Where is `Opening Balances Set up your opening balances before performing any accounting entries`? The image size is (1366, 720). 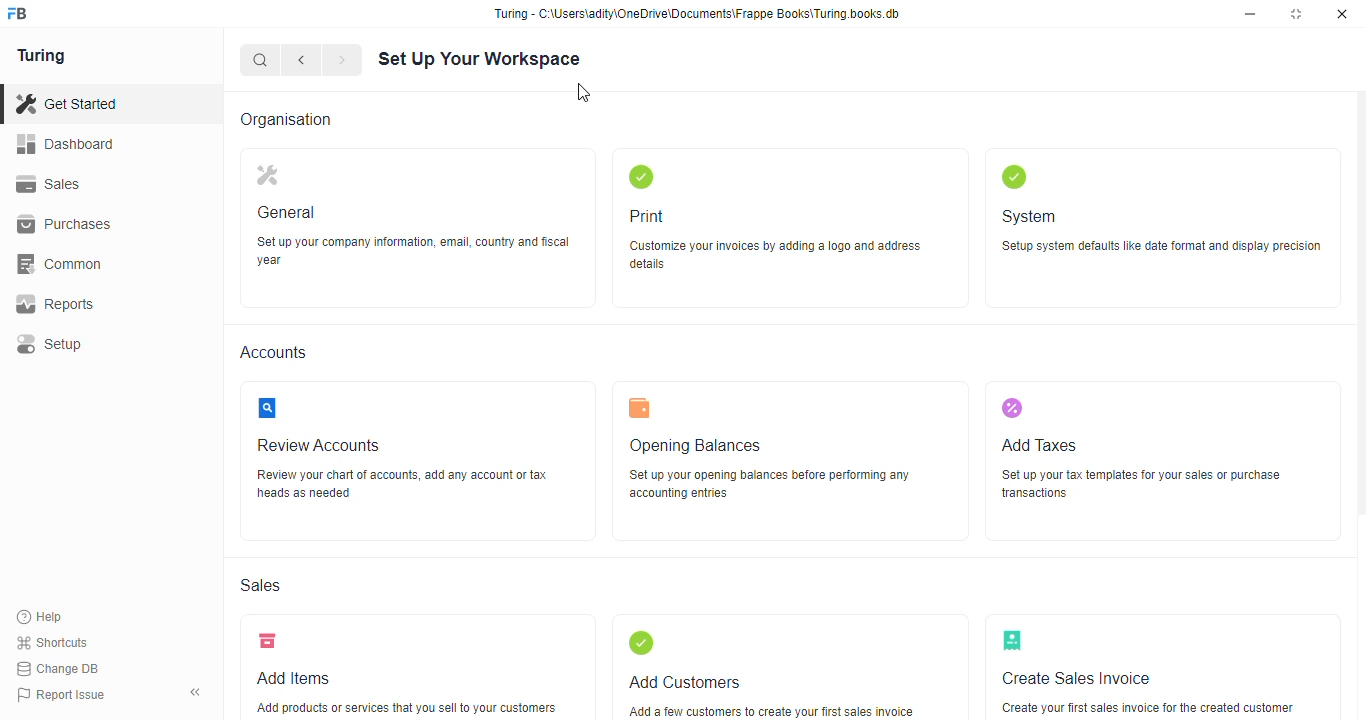 Opening Balances Set up your opening balances before performing any accounting entries is located at coordinates (790, 460).